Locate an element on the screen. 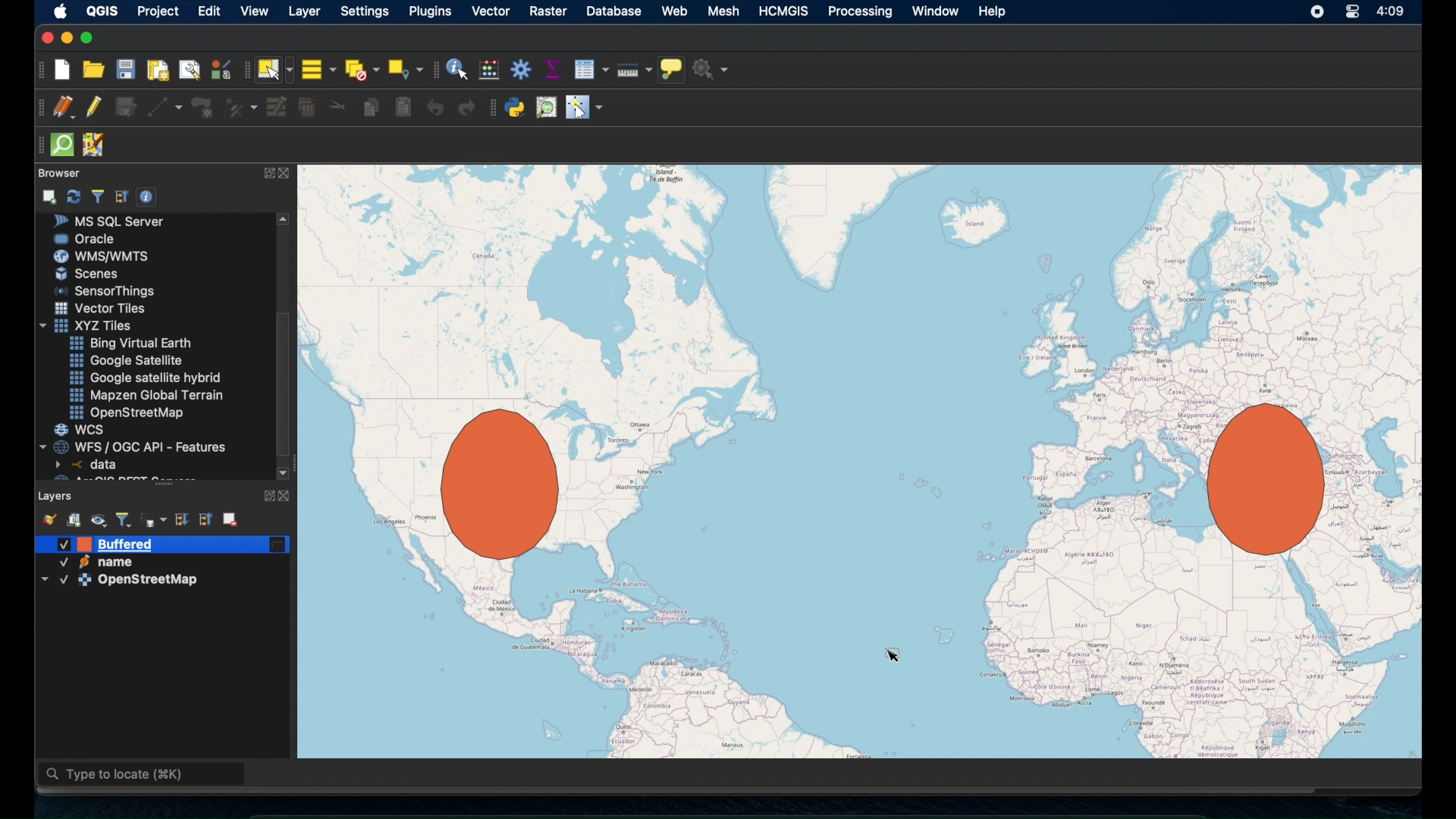 The image size is (1456, 819). redo is located at coordinates (463, 109).